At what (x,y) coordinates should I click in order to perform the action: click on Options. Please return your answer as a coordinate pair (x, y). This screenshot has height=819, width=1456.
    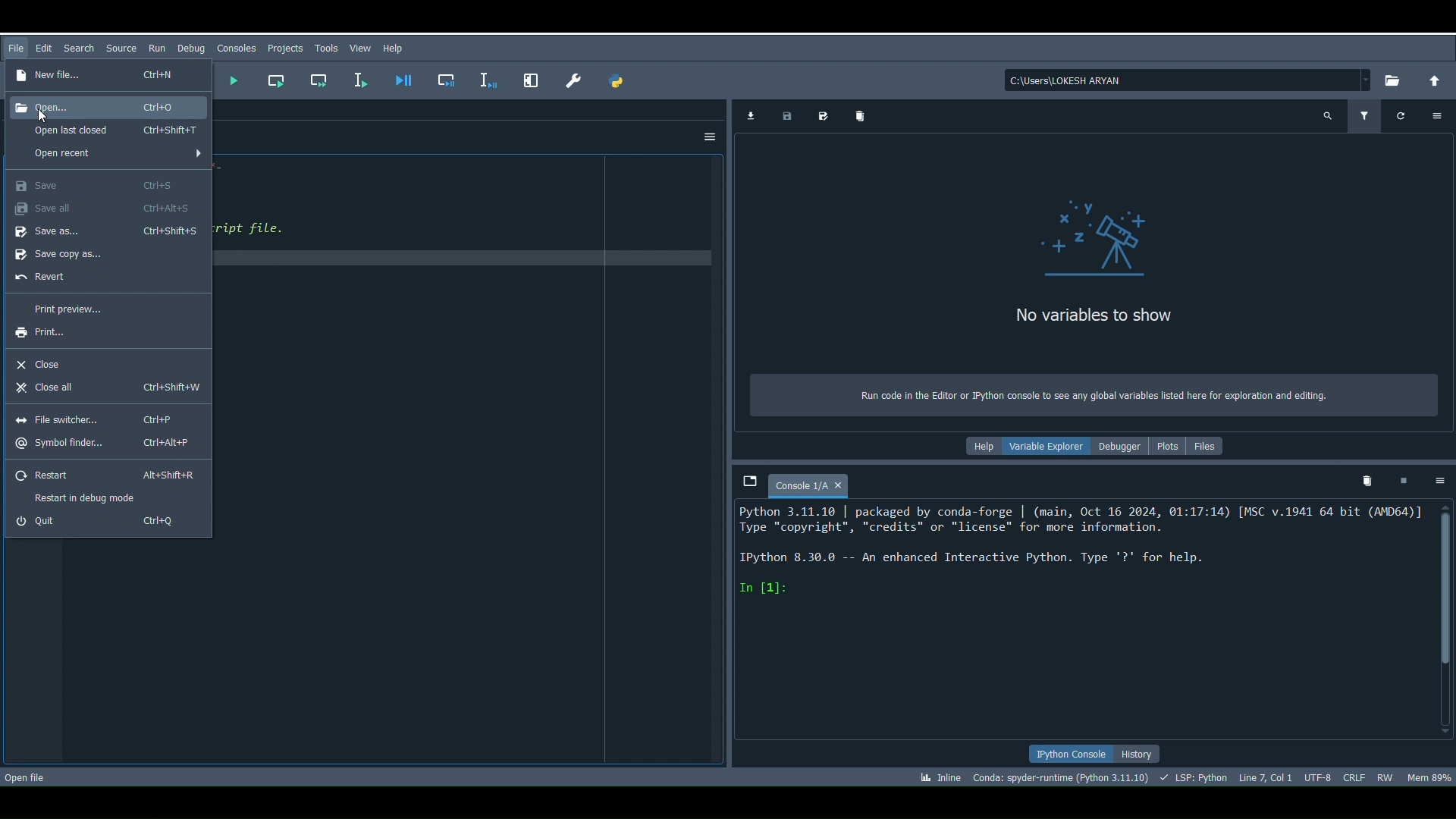
    Looking at the image, I should click on (1441, 479).